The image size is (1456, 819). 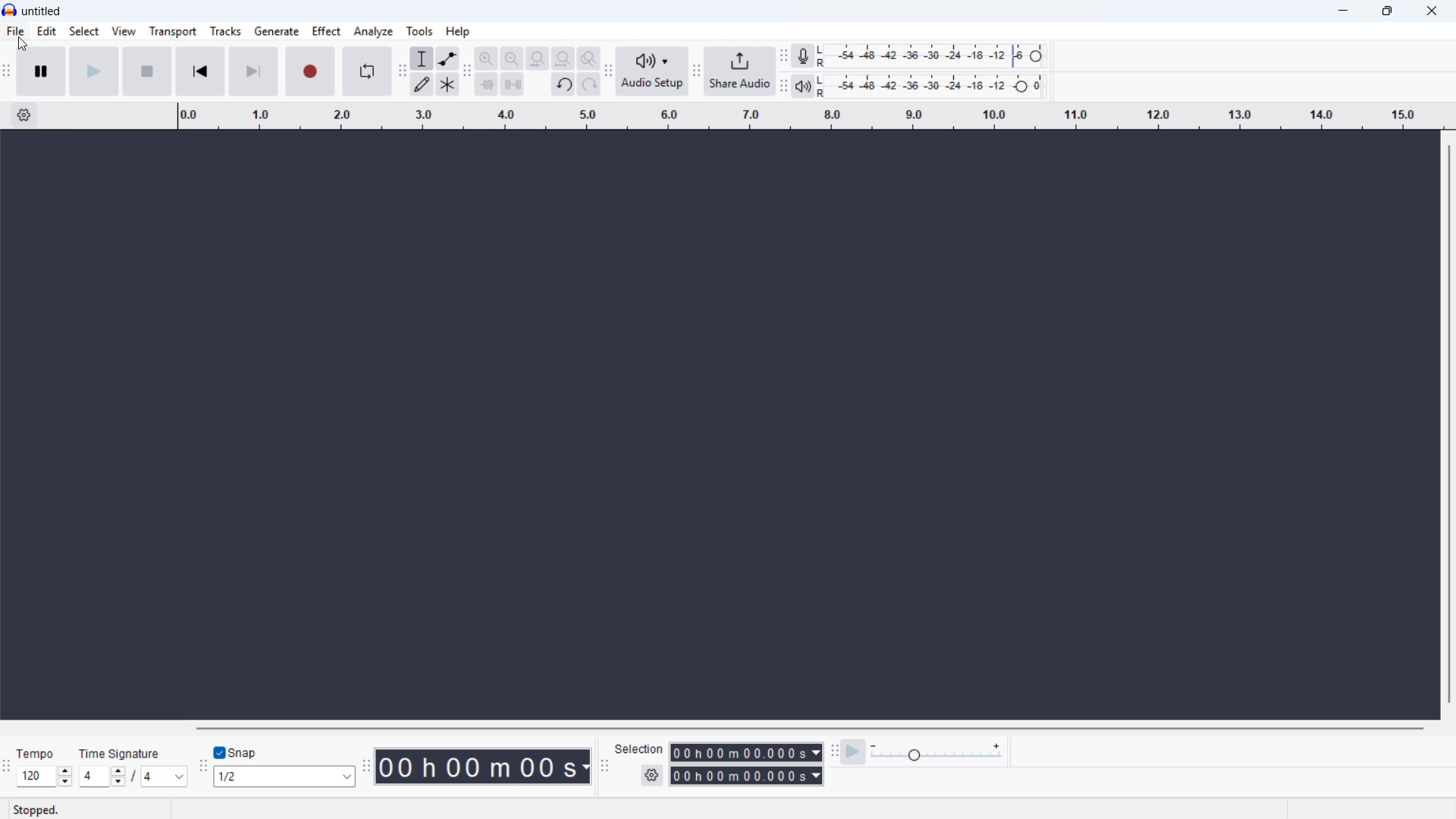 I want to click on Play at speed toolbar , so click(x=833, y=750).